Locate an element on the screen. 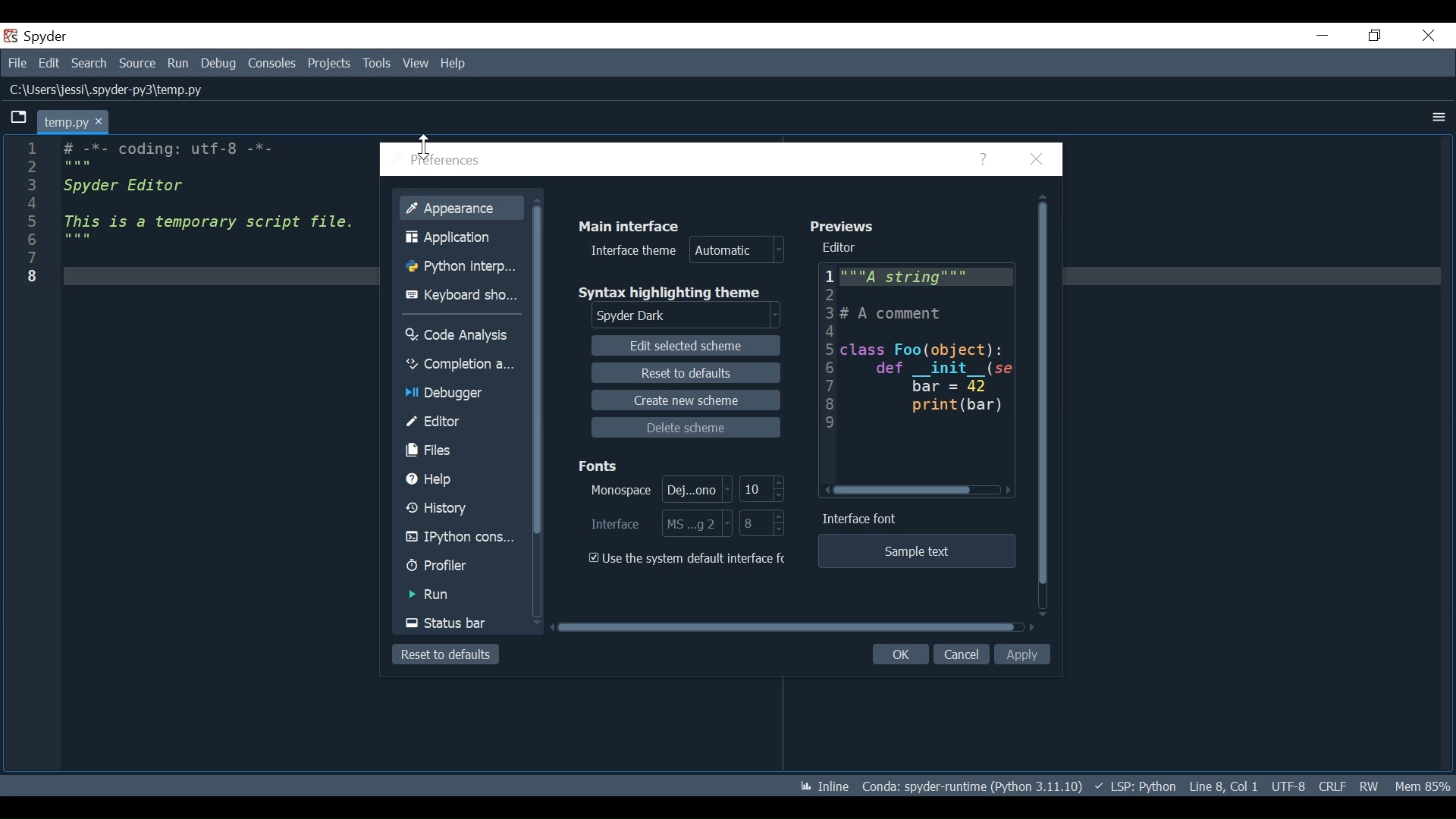  Application is located at coordinates (459, 239).